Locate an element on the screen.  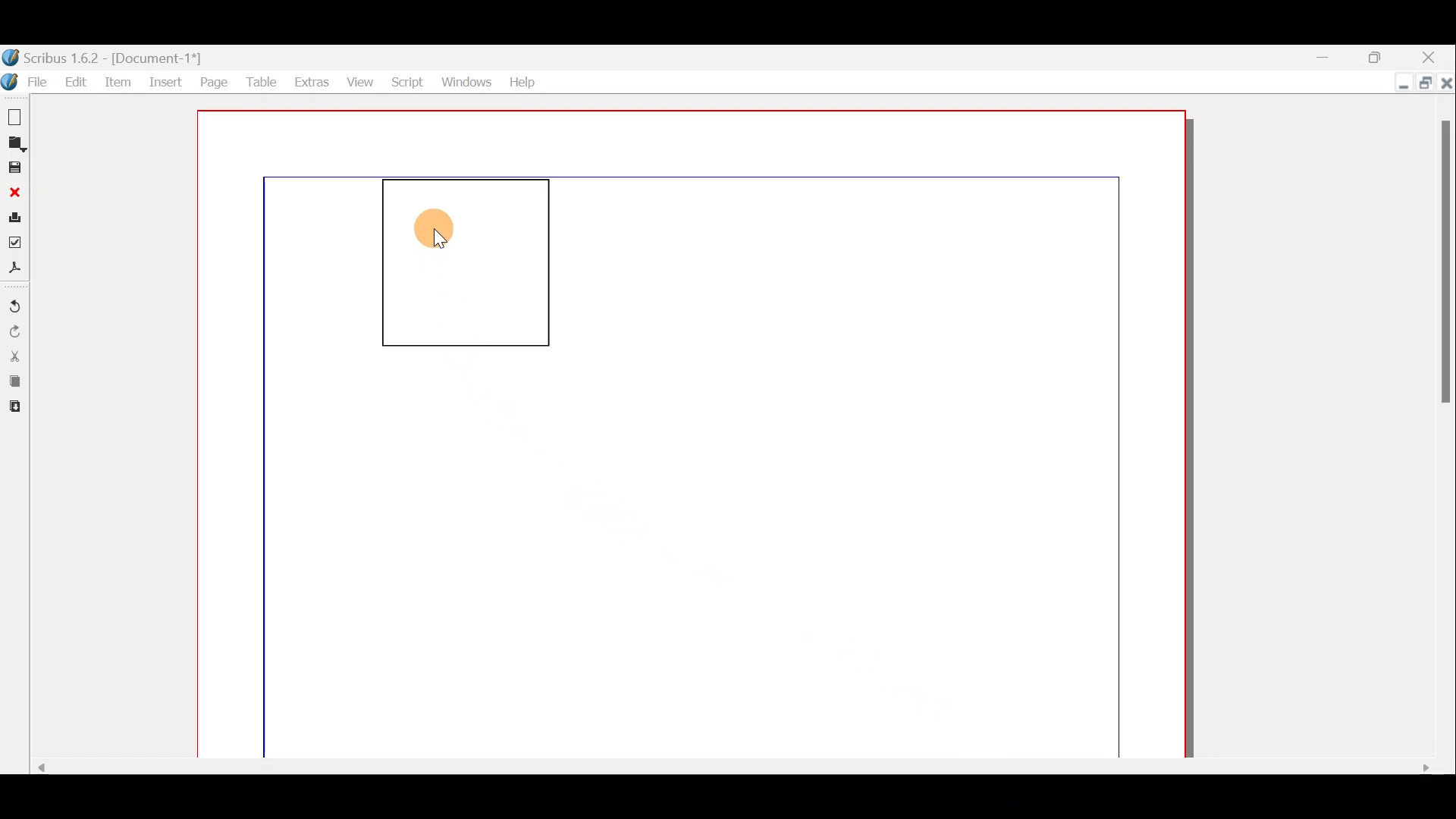
Preflight verifier is located at coordinates (15, 246).